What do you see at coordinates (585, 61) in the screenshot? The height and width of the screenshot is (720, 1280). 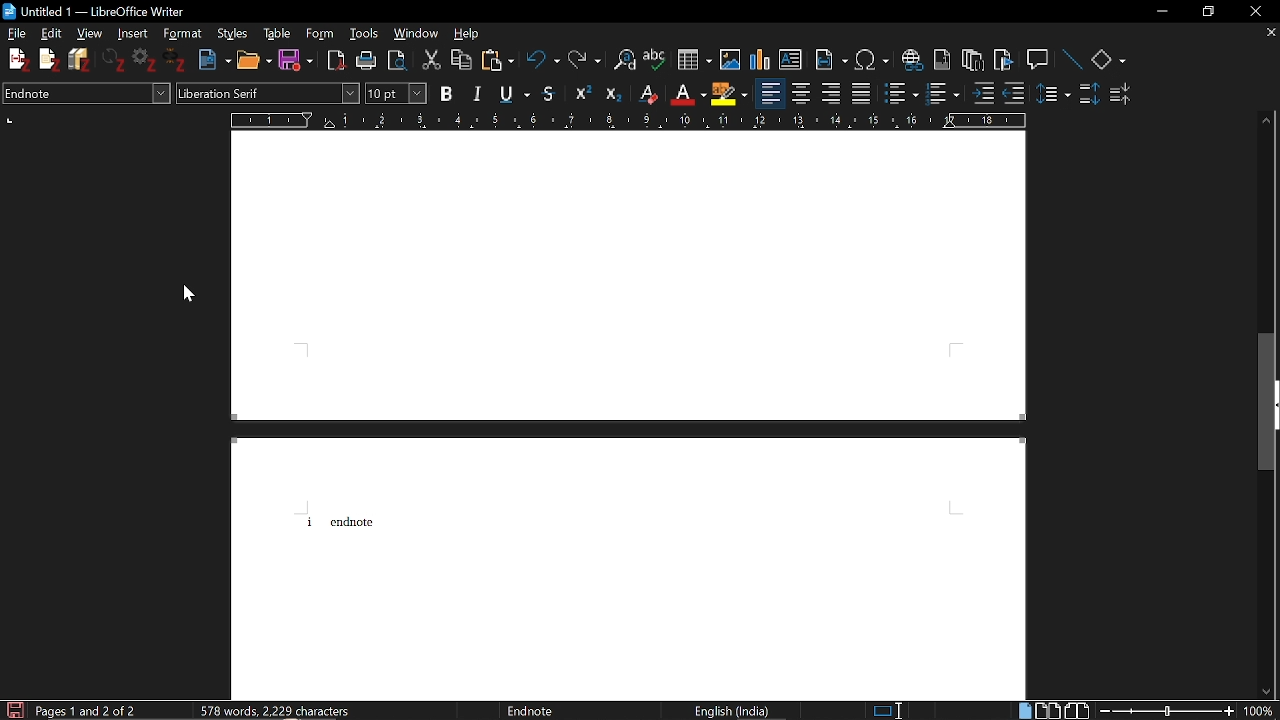 I see `REdo` at bounding box center [585, 61].